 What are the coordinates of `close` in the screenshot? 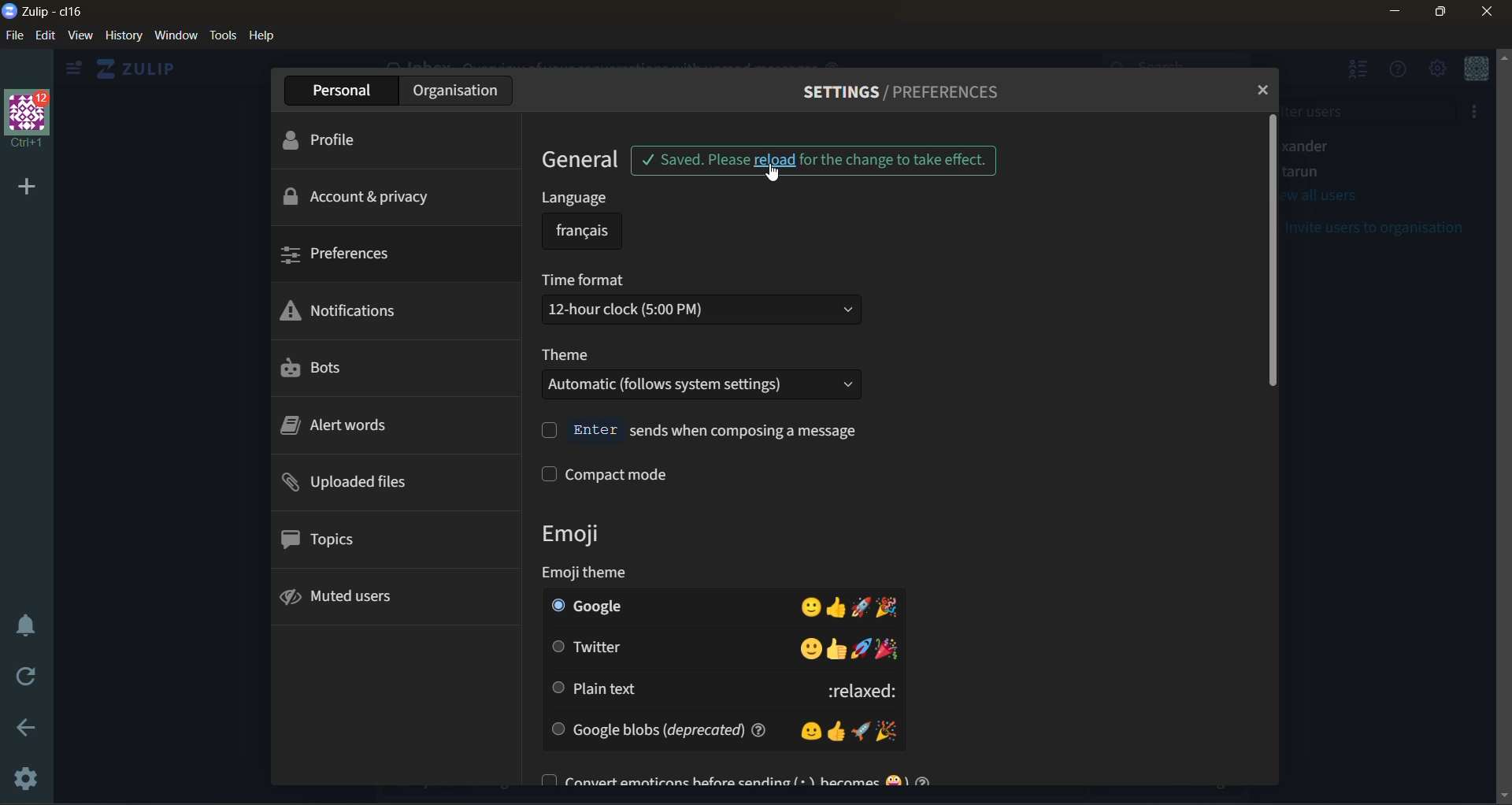 It's located at (1266, 90).